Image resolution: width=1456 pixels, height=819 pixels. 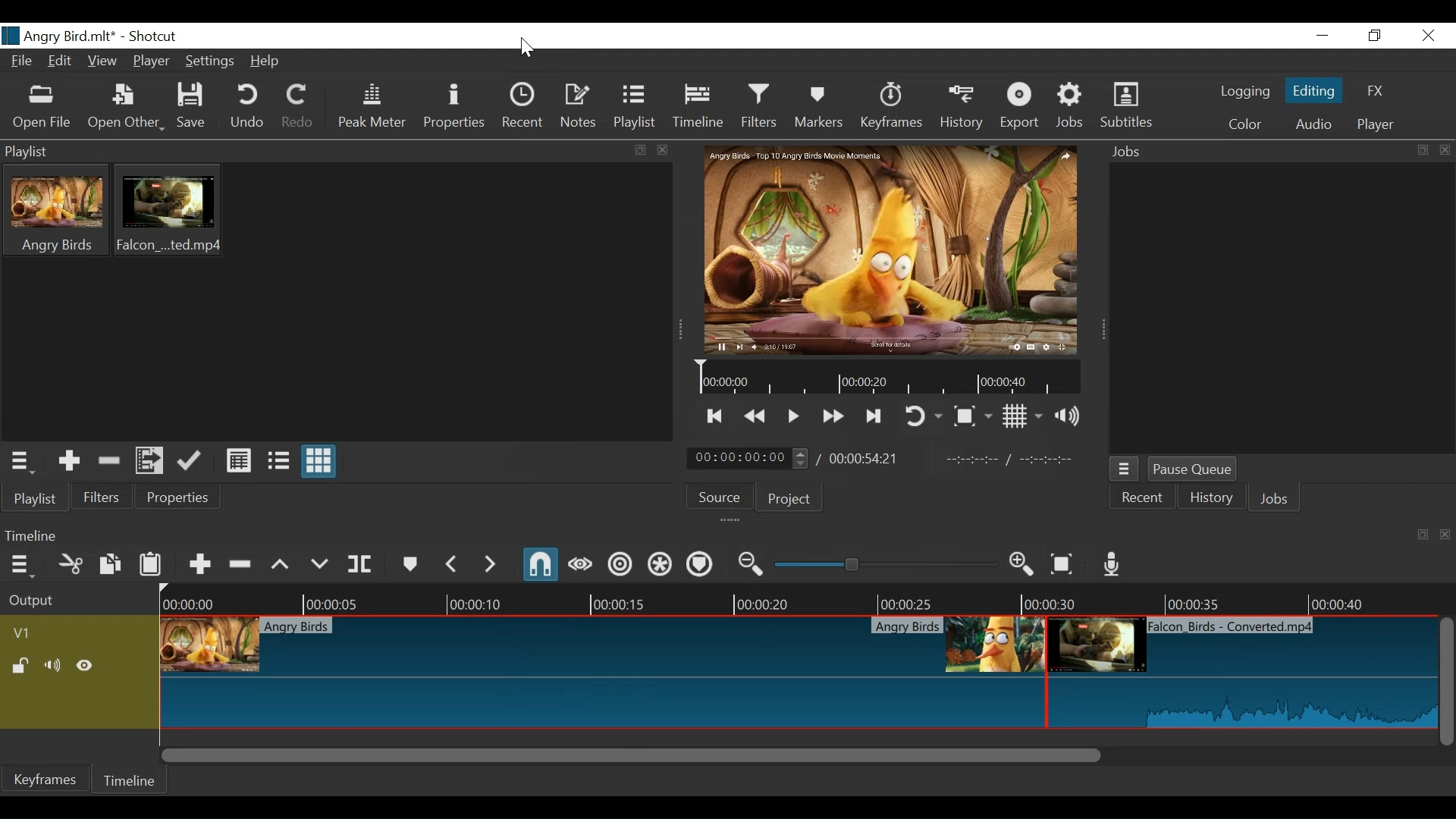 What do you see at coordinates (108, 462) in the screenshot?
I see `Remove cut` at bounding box center [108, 462].